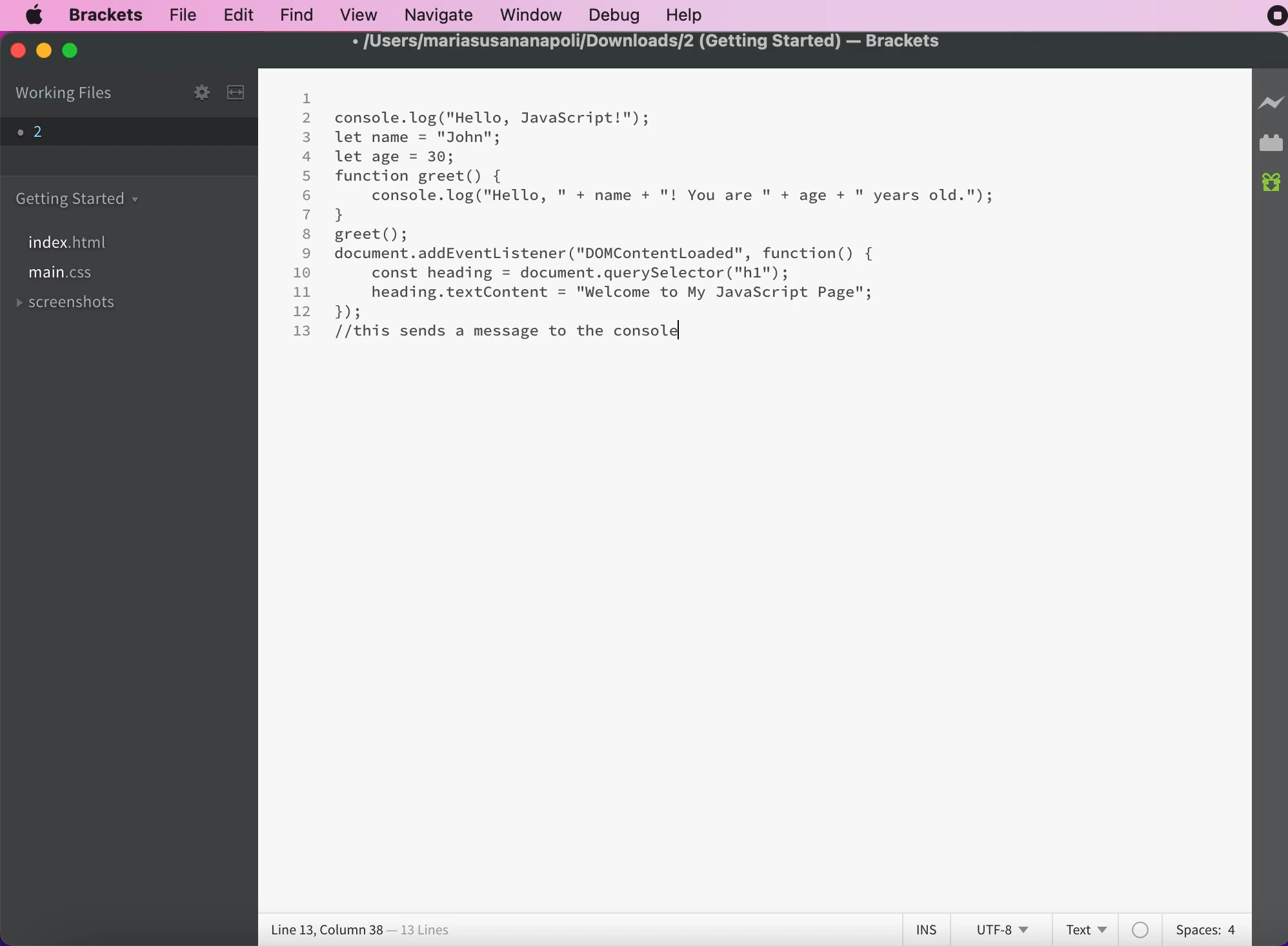  Describe the element at coordinates (307, 214) in the screenshot. I see `7` at that location.